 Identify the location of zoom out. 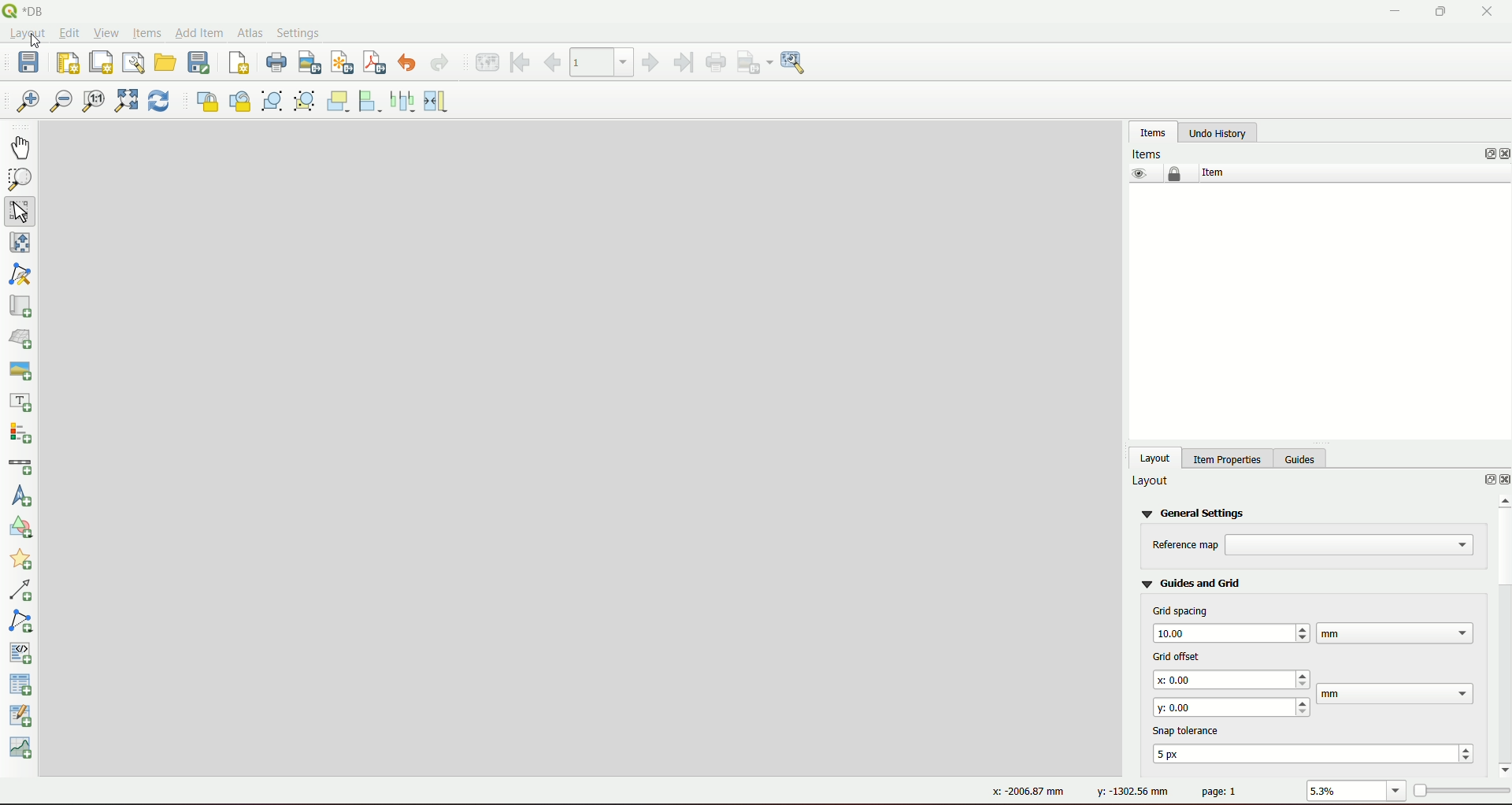
(61, 103).